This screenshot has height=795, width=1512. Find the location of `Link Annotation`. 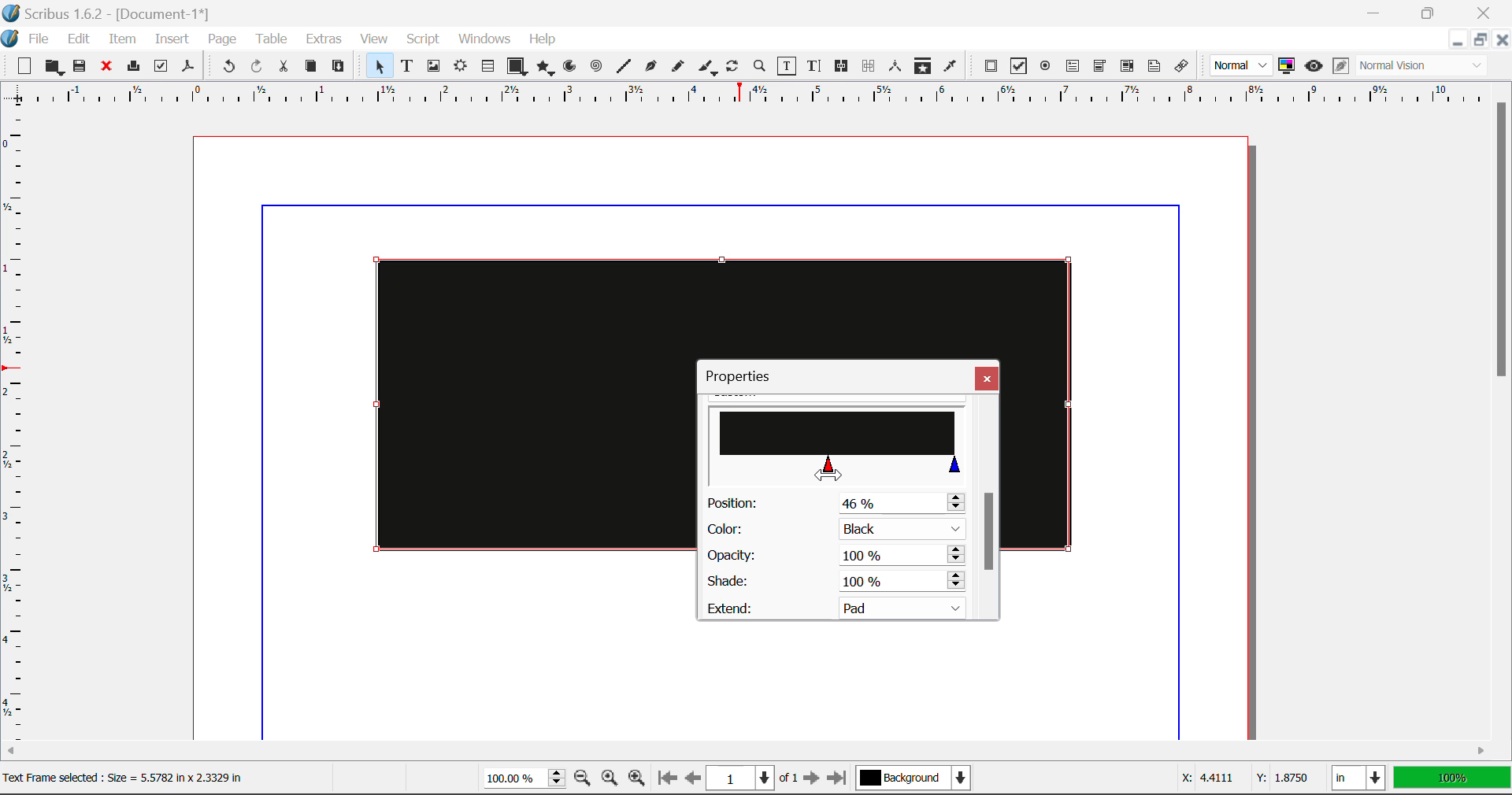

Link Annotation is located at coordinates (1185, 67).